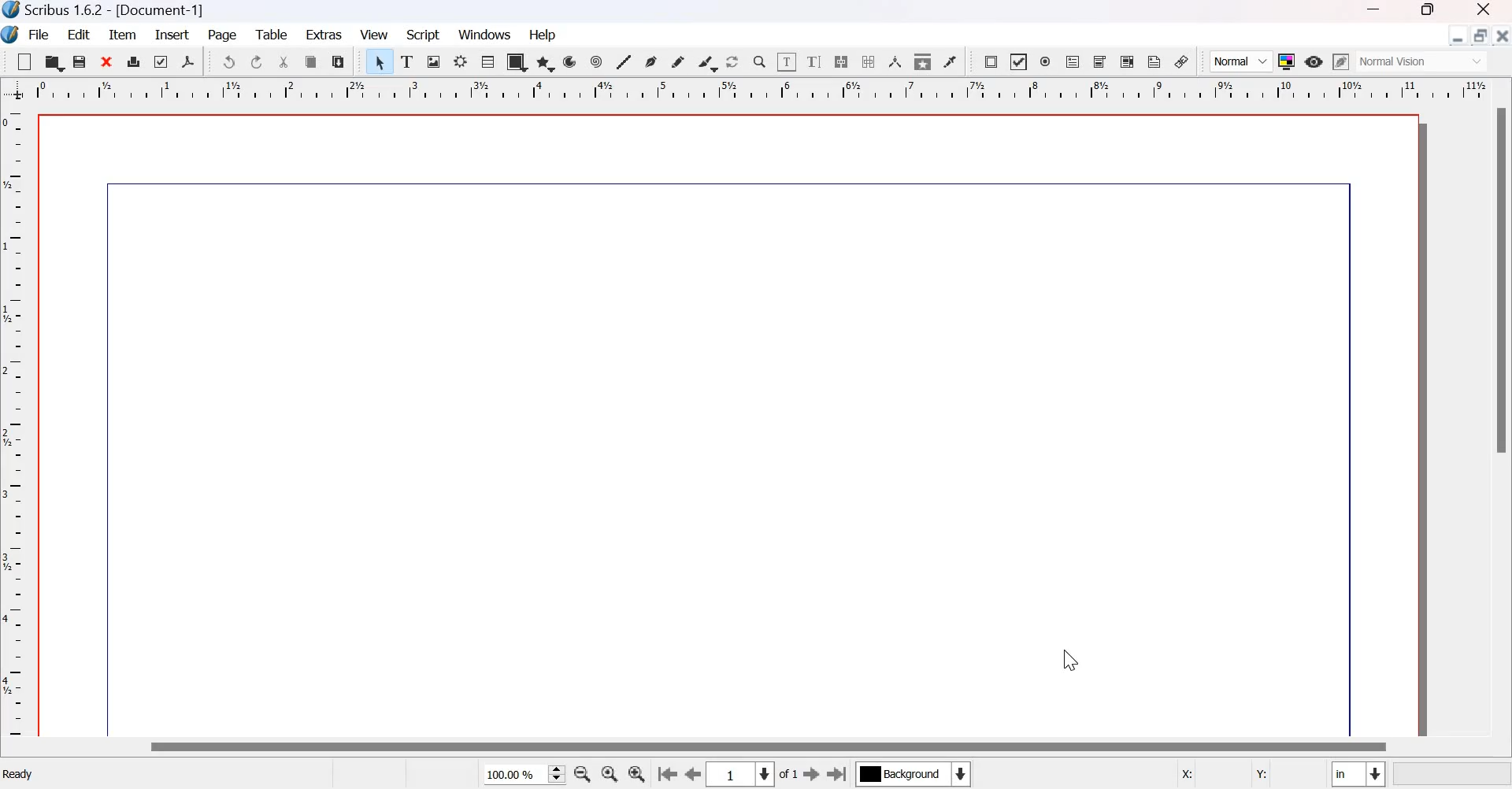 Image resolution: width=1512 pixels, height=789 pixels. I want to click on X:, so click(1185, 775).